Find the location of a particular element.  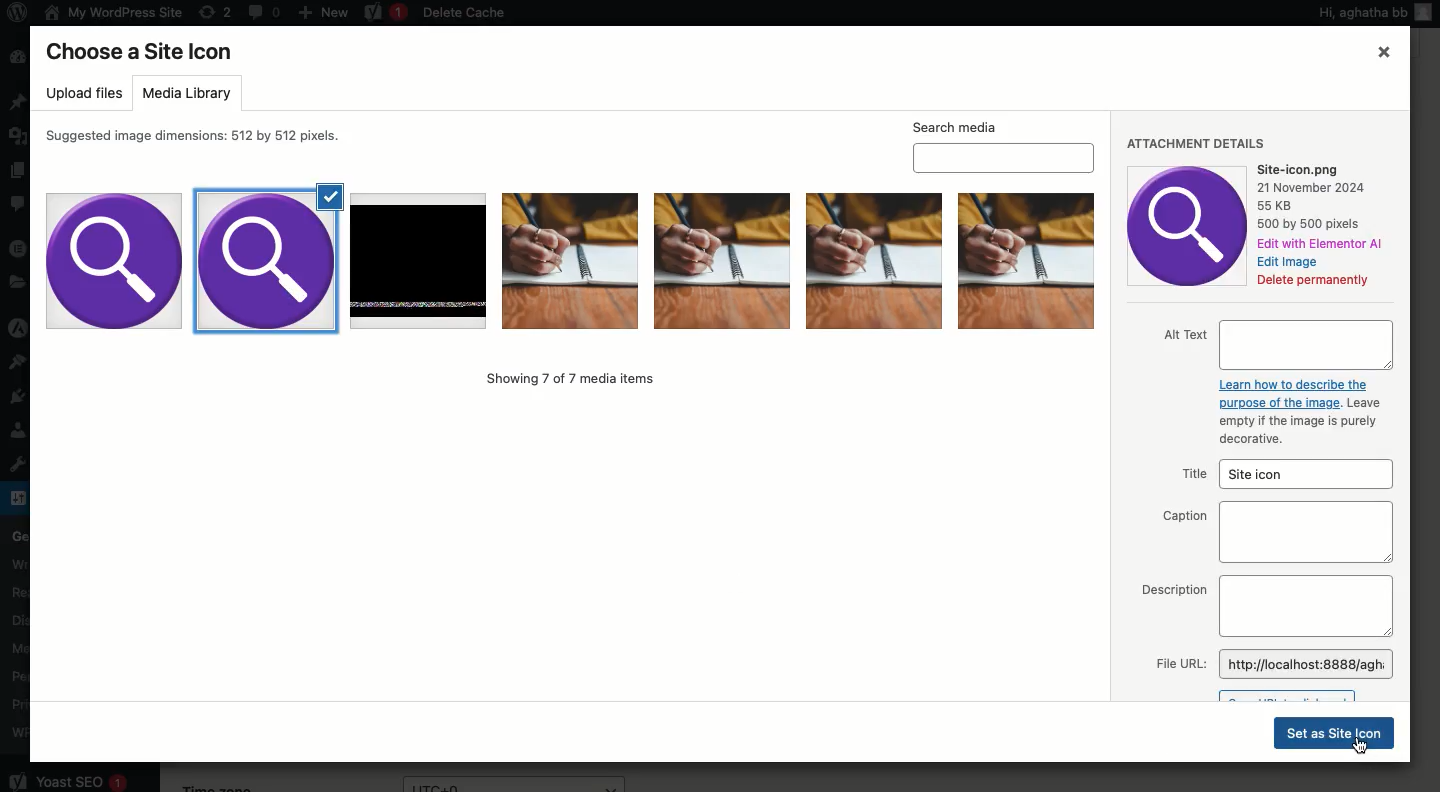

Image is located at coordinates (112, 260).